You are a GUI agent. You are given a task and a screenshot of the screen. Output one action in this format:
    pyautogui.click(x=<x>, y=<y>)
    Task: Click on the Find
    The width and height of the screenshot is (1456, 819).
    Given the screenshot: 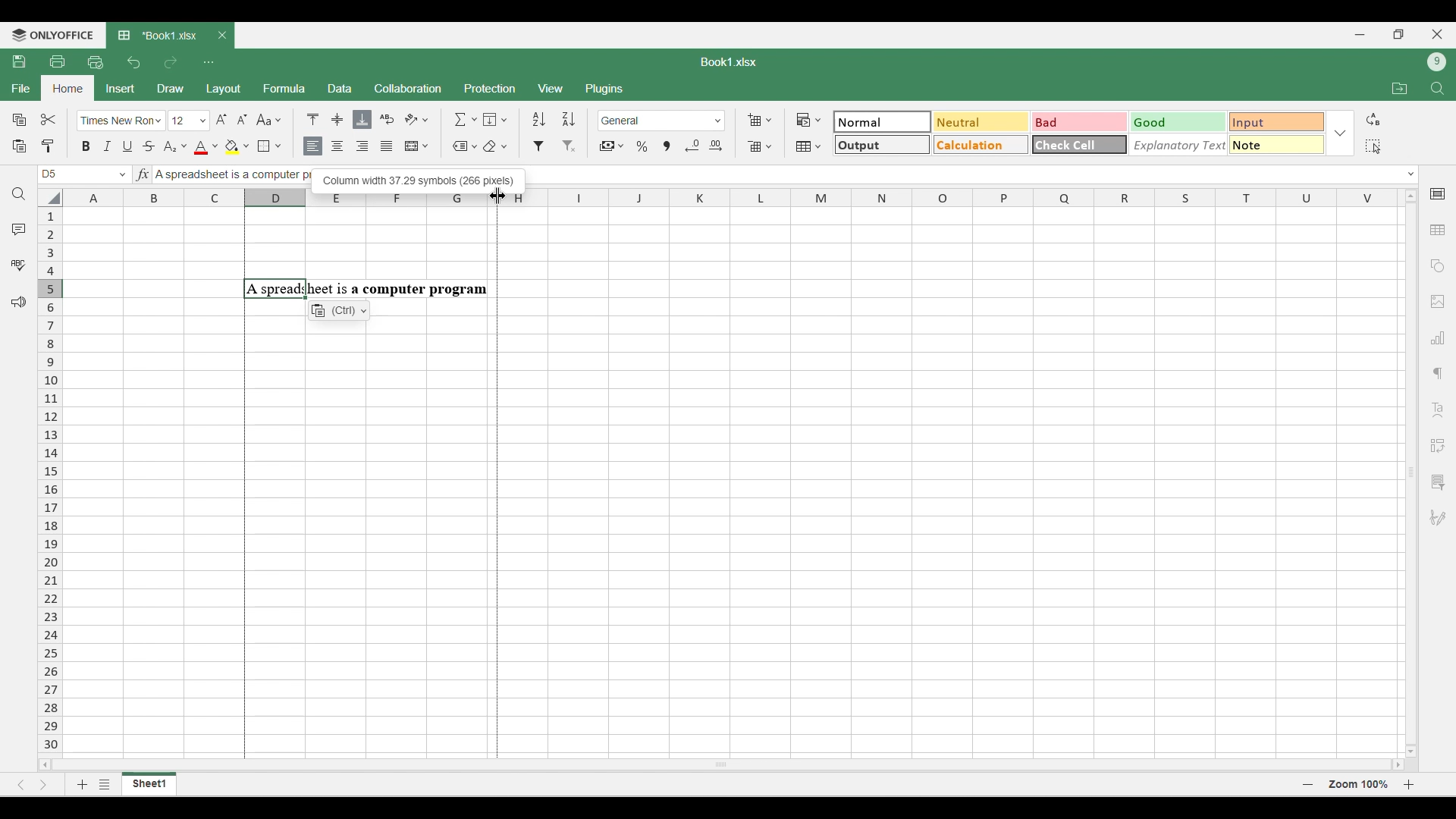 What is the action you would take?
    pyautogui.click(x=1439, y=89)
    